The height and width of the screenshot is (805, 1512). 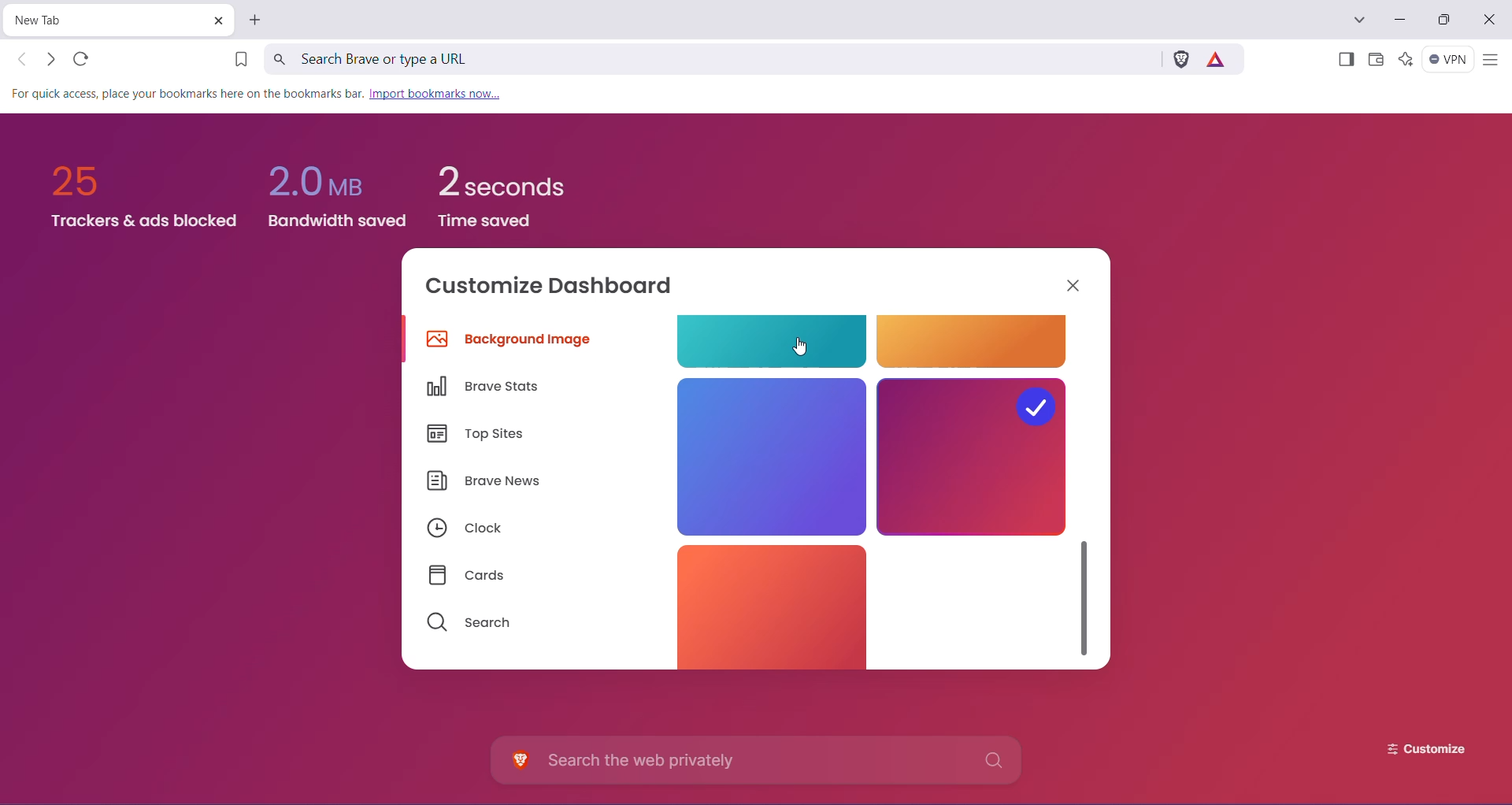 What do you see at coordinates (136, 191) in the screenshot?
I see `25 trackers & ads blocked` at bounding box center [136, 191].